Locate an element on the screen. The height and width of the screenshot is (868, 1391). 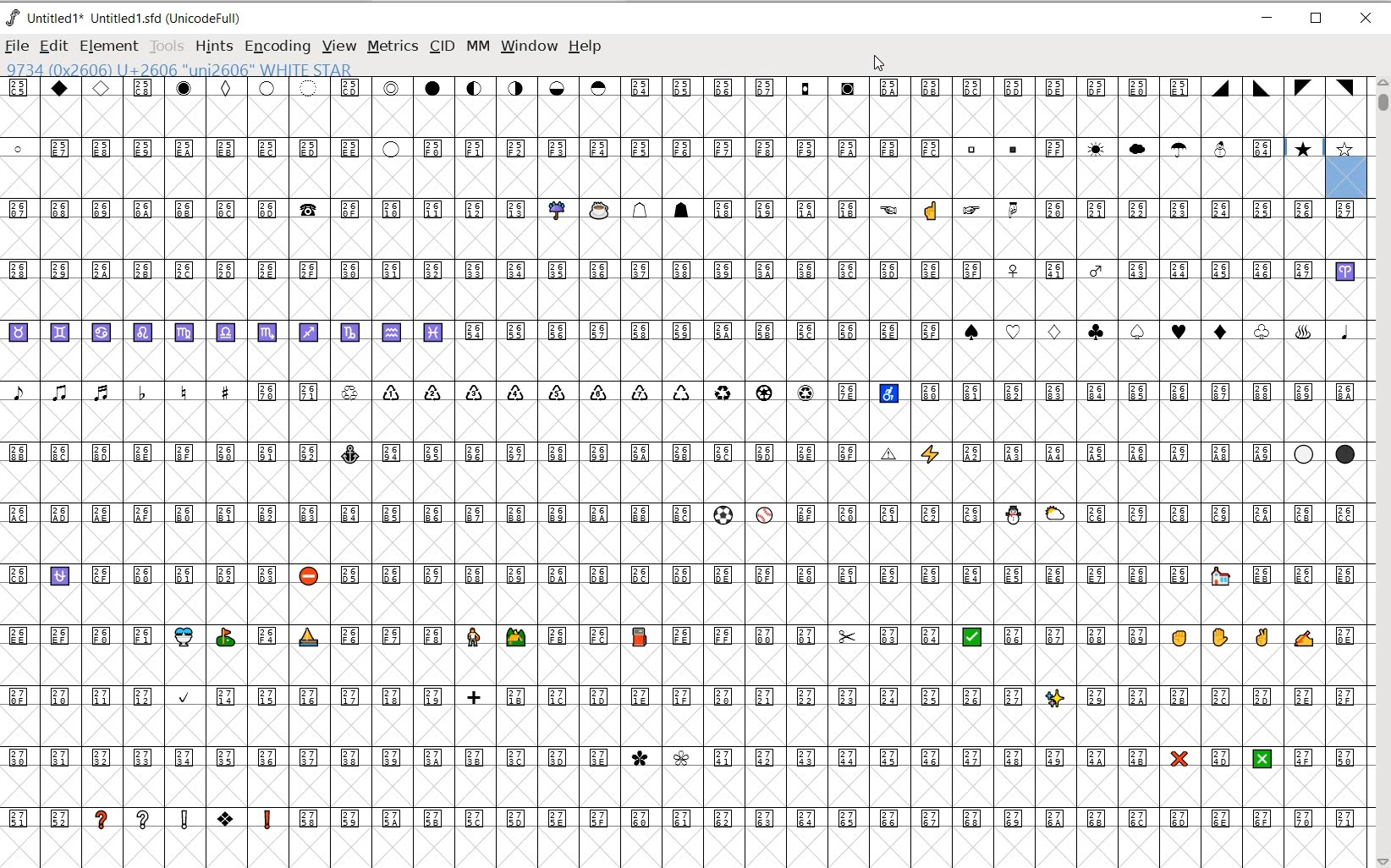
HELP is located at coordinates (587, 47).